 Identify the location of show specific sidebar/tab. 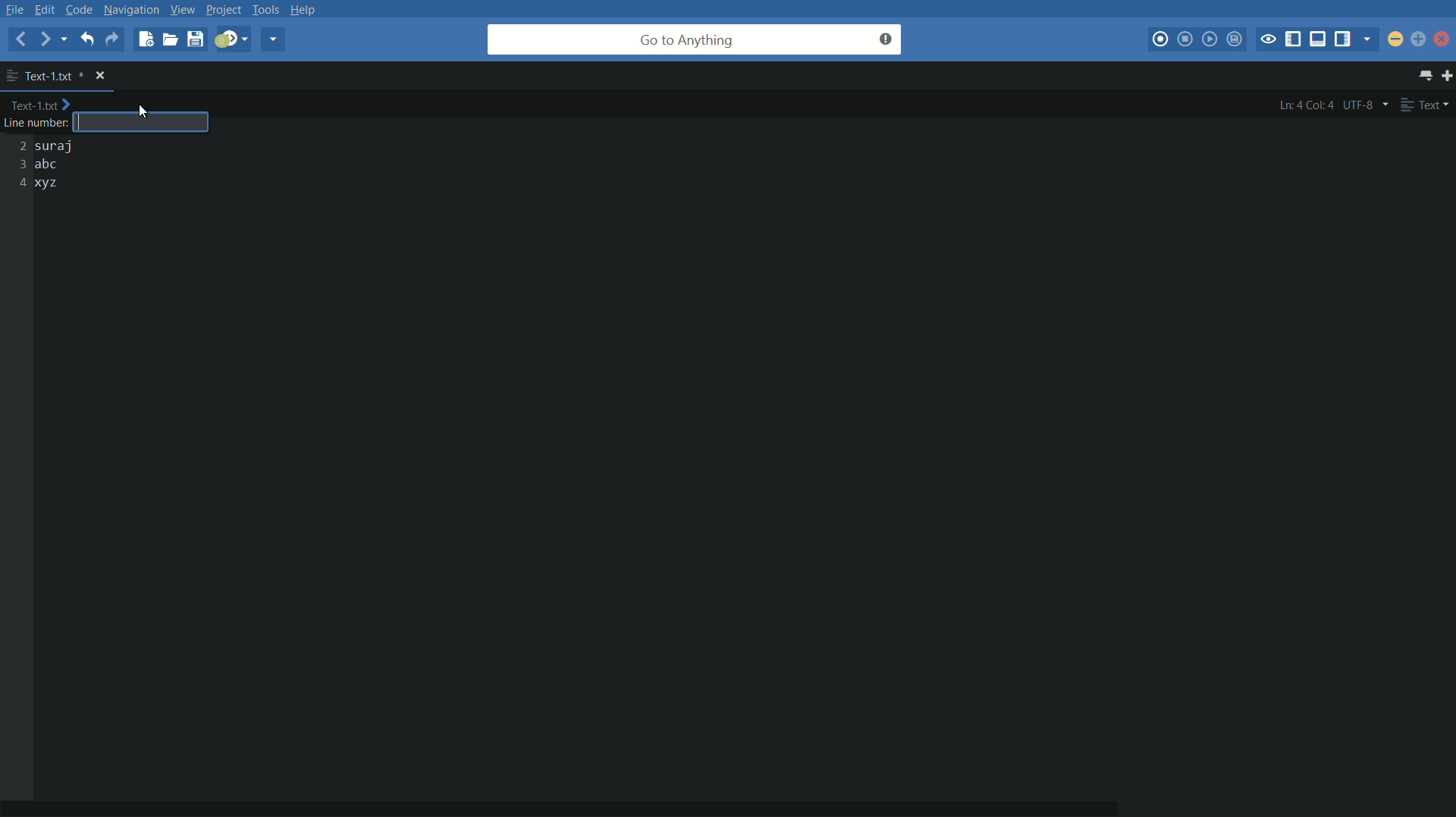
(1370, 39).